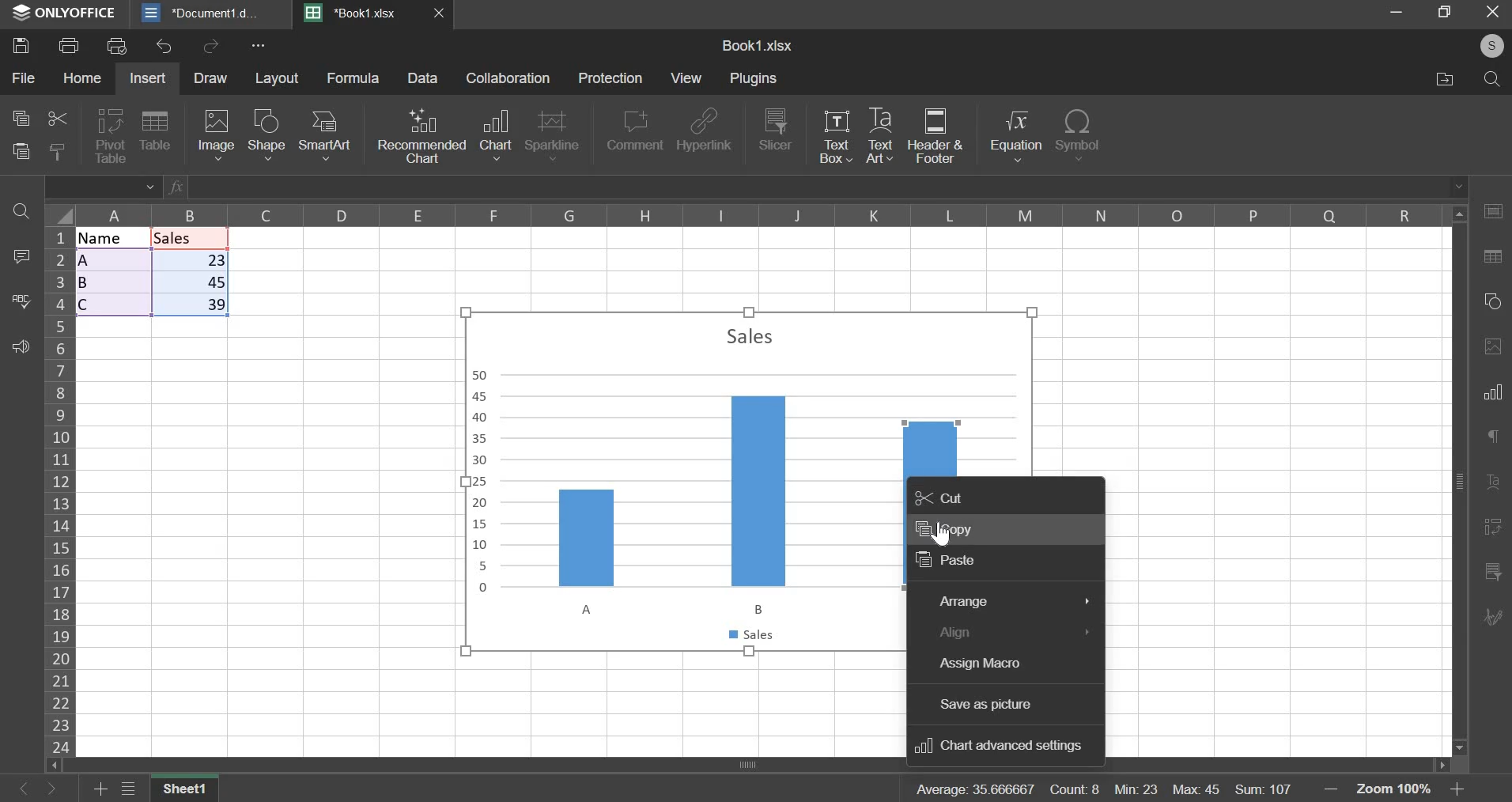 This screenshot has height=802, width=1512. I want to click on align, so click(1013, 631).